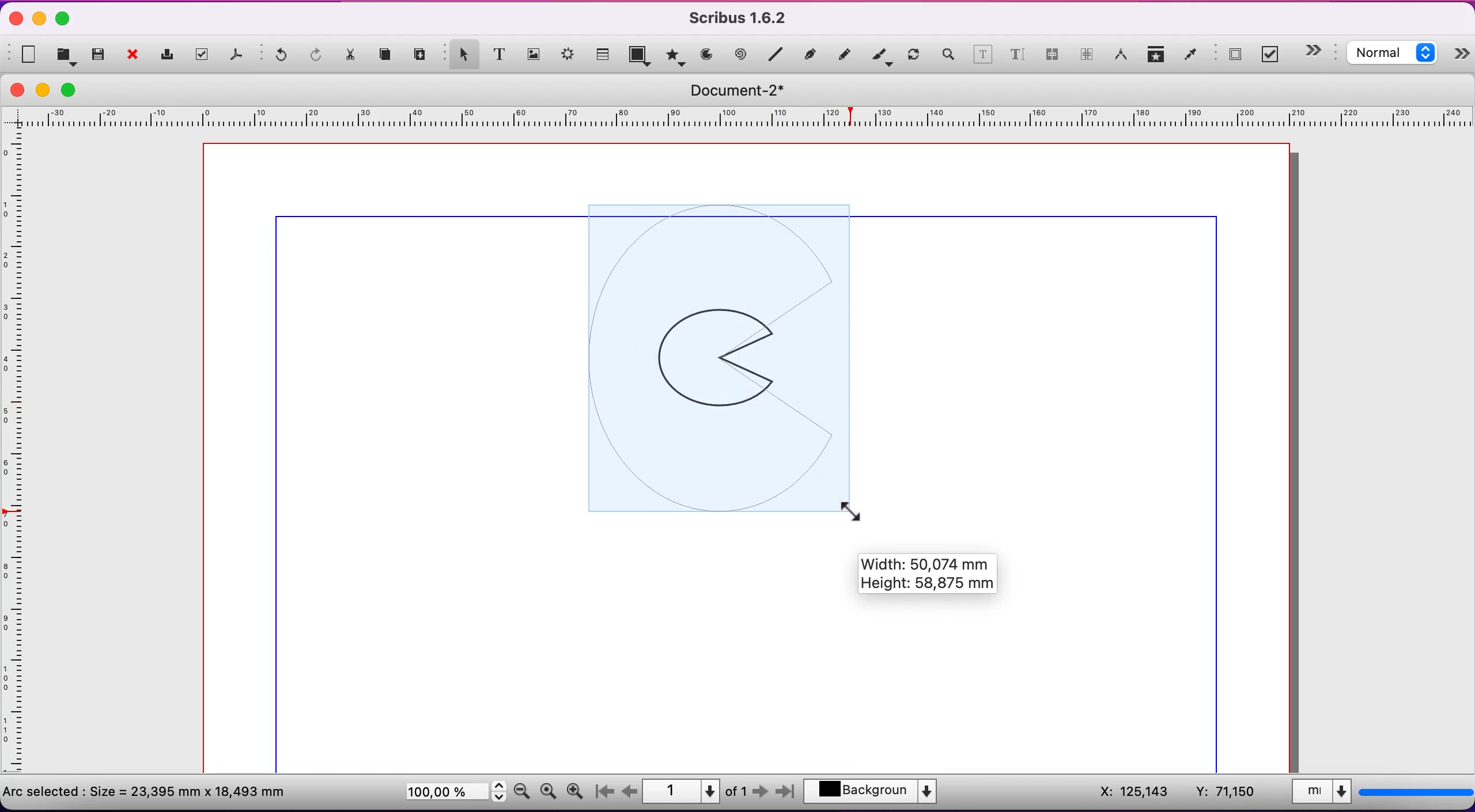 The width and height of the screenshot is (1475, 812). I want to click on zoom in or zoom out, so click(947, 56).